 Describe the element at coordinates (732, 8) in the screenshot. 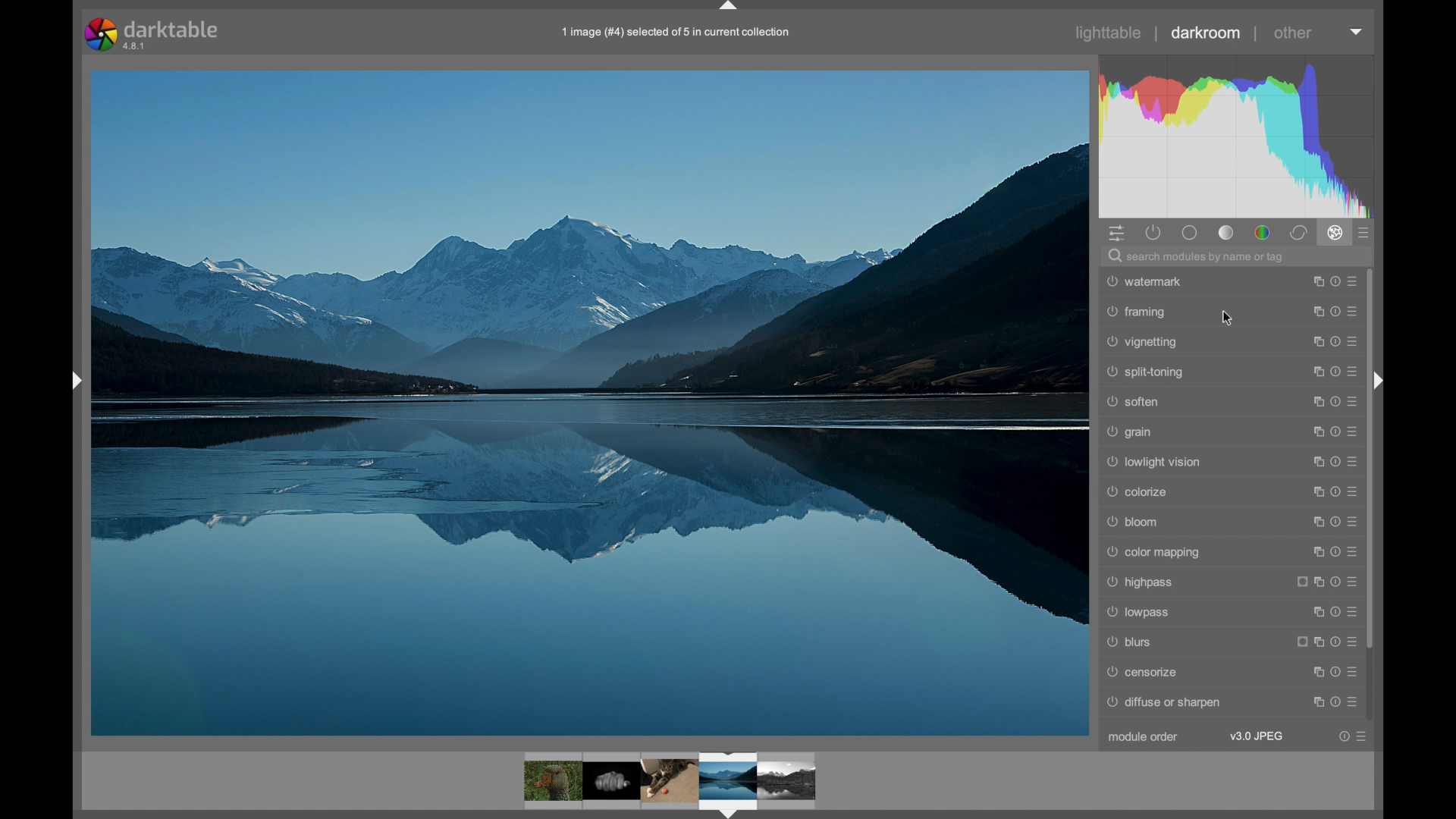

I see `drag handle` at that location.